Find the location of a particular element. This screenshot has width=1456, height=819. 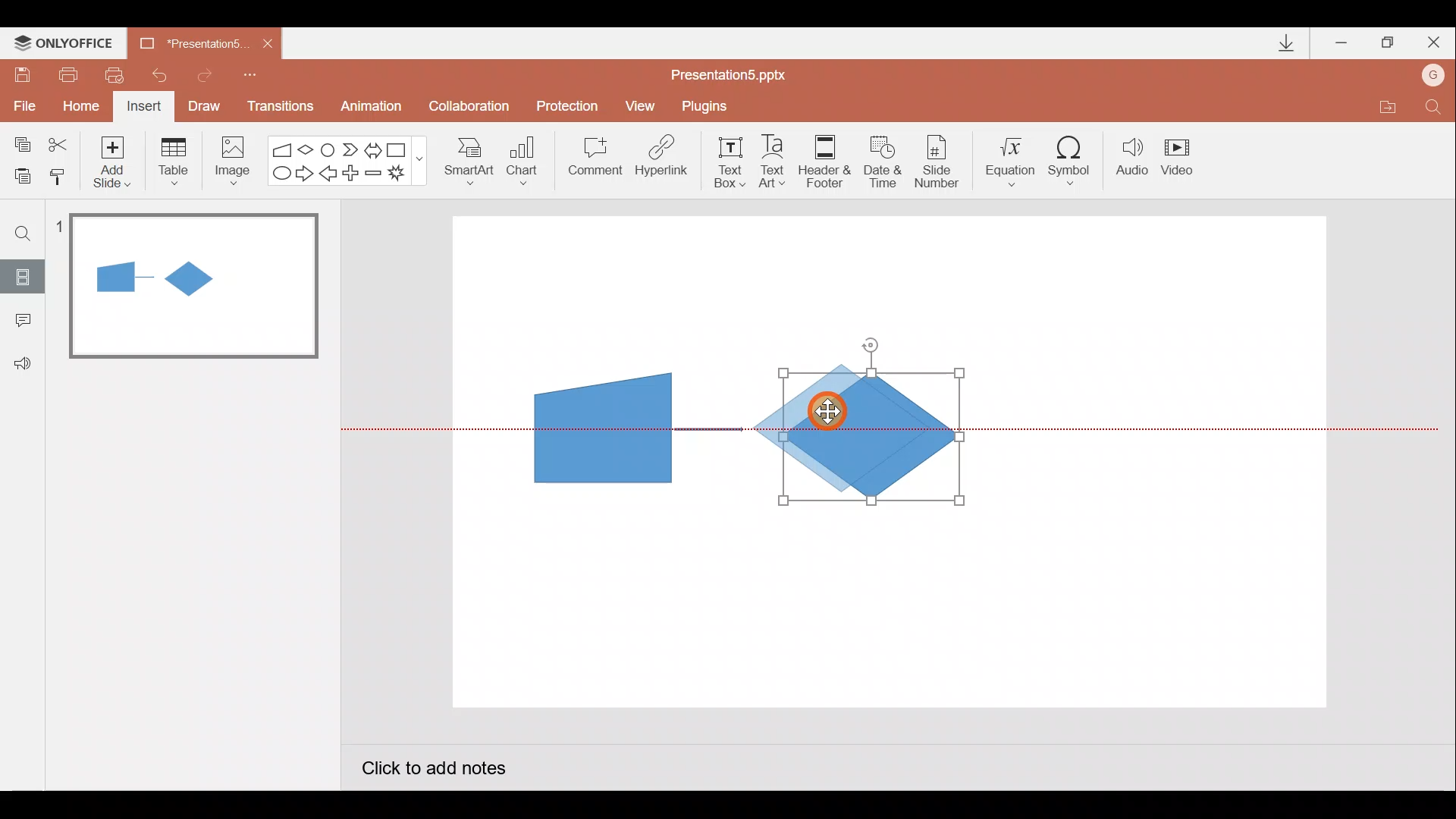

Collaboration is located at coordinates (472, 108).